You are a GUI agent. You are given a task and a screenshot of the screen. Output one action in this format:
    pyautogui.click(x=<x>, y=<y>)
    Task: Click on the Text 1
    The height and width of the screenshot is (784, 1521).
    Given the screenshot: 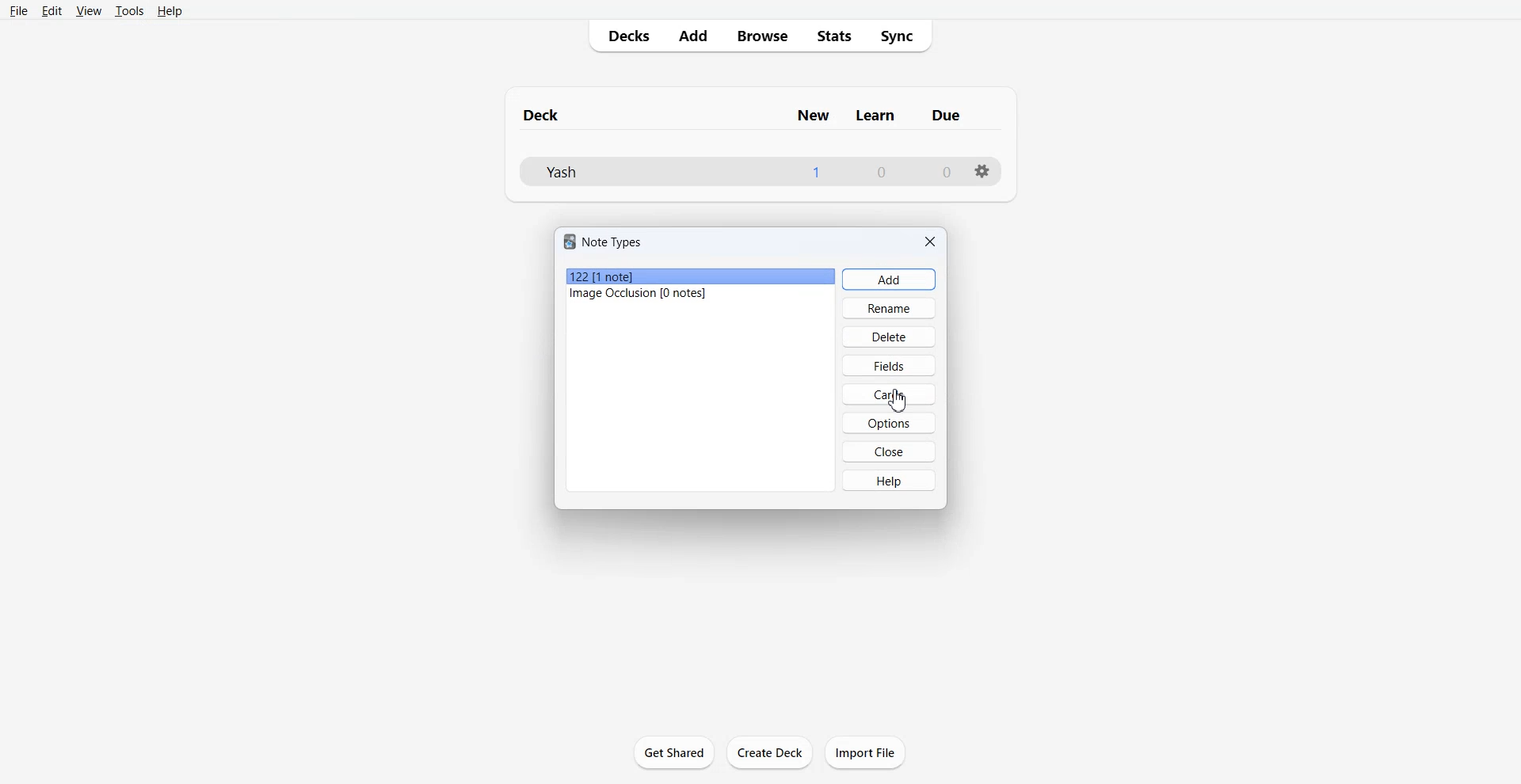 What is the action you would take?
    pyautogui.click(x=745, y=116)
    